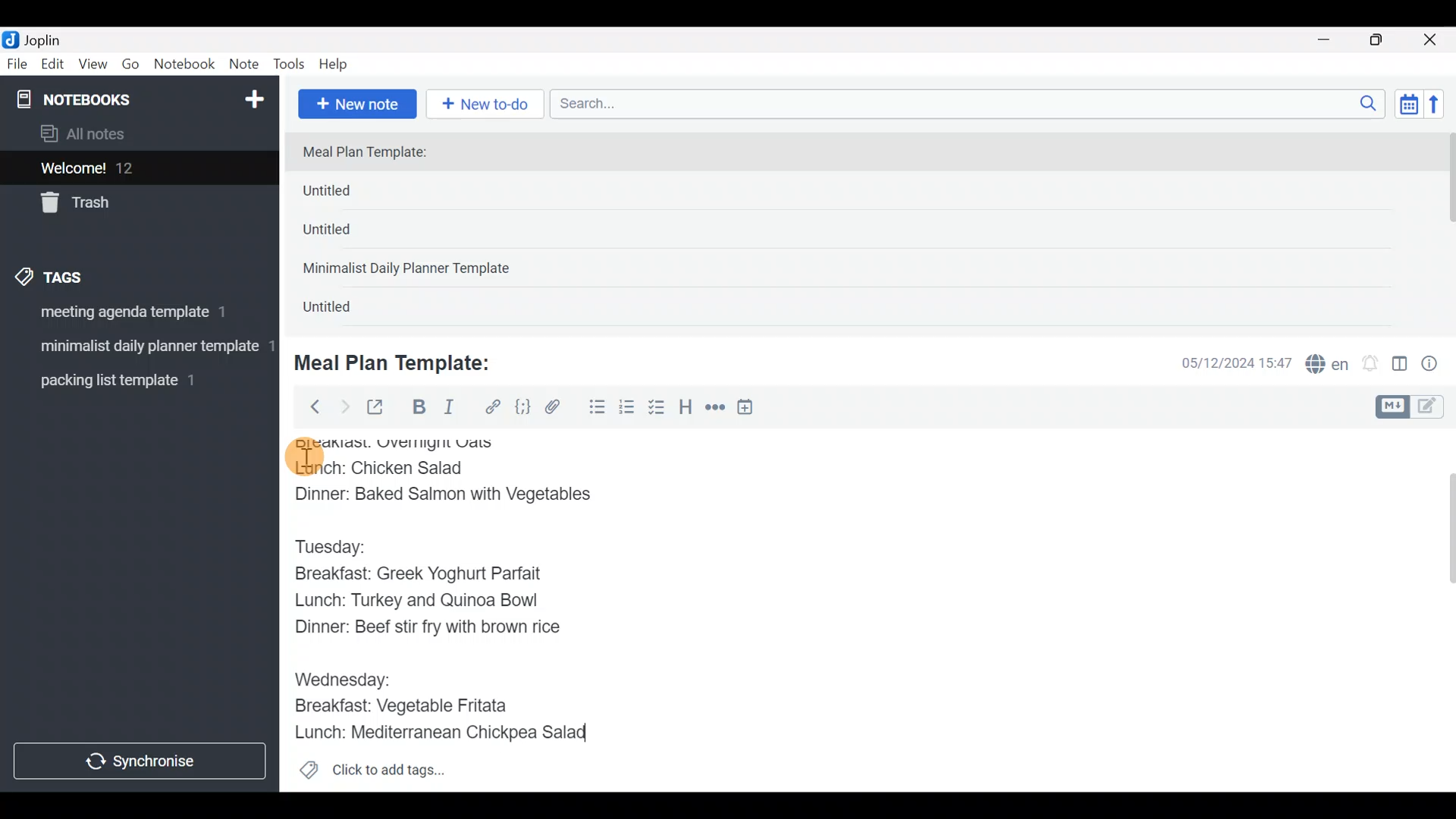 This screenshot has height=819, width=1456. What do you see at coordinates (1414, 405) in the screenshot?
I see `Toggle editors` at bounding box center [1414, 405].